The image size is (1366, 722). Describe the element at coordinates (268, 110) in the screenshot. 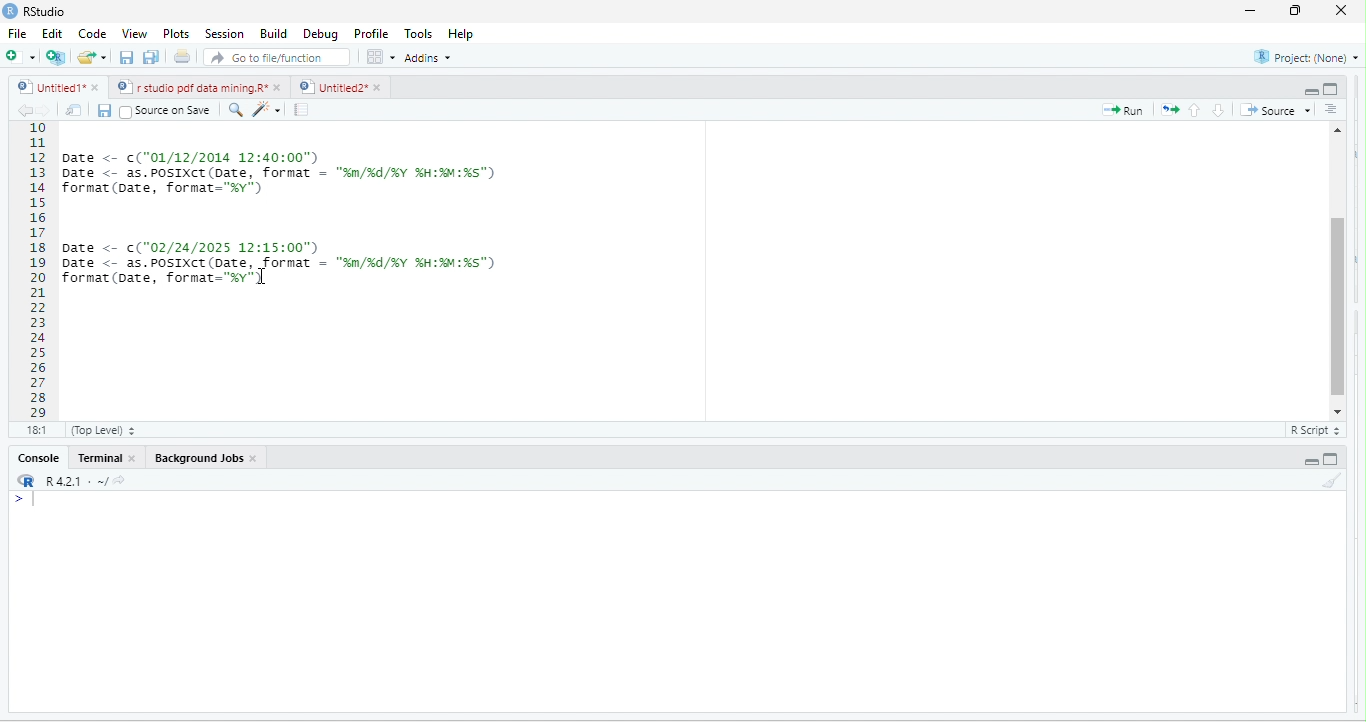

I see `code tools` at that location.